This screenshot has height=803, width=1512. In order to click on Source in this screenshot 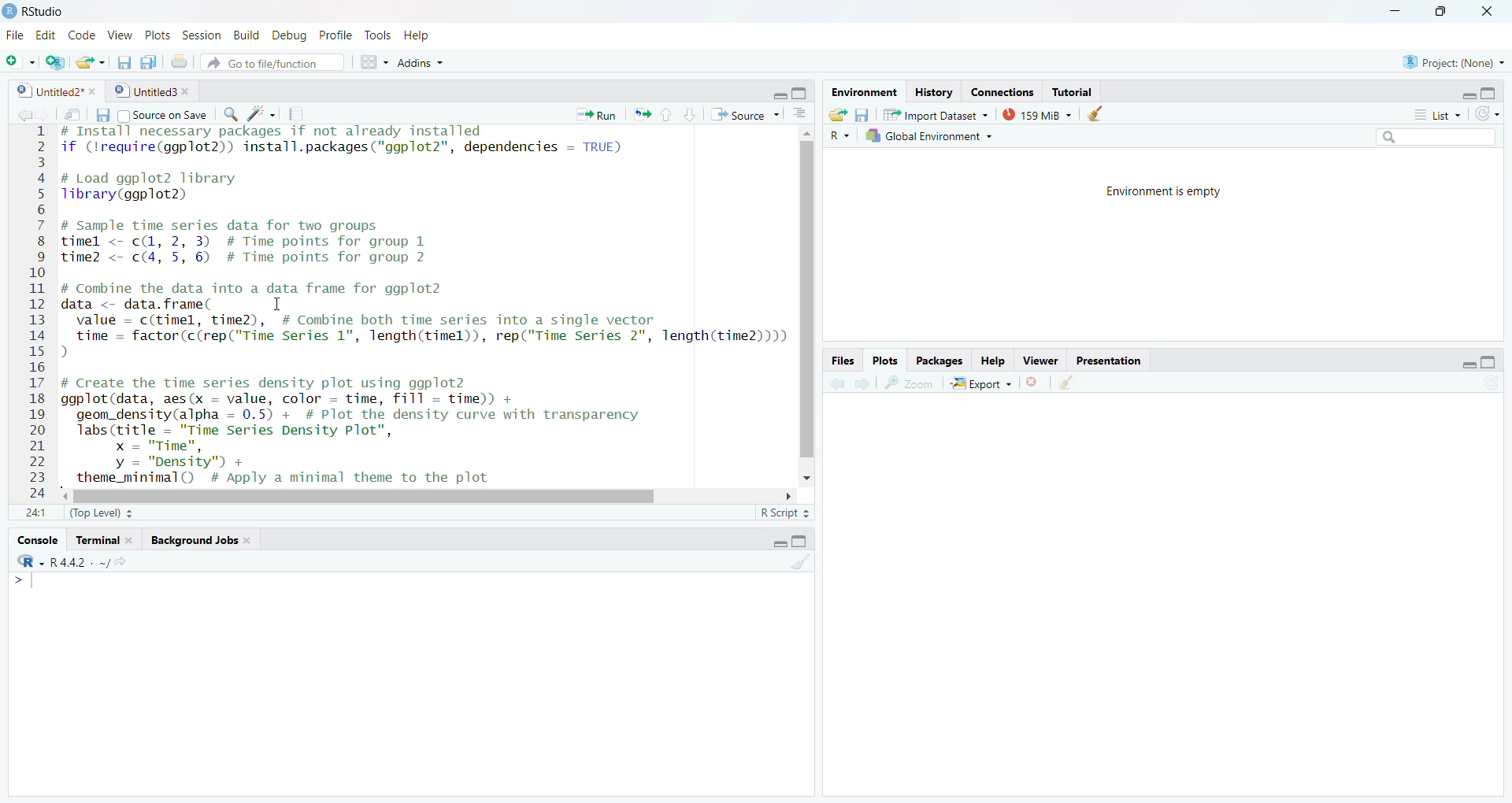, I will do `click(743, 114)`.